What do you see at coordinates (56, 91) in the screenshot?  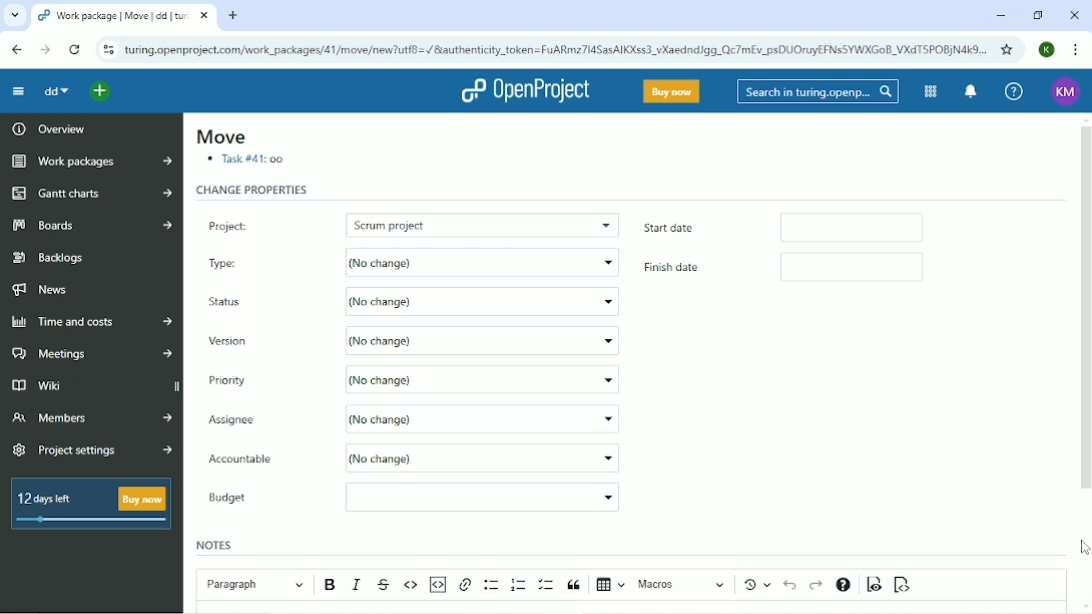 I see `dd` at bounding box center [56, 91].